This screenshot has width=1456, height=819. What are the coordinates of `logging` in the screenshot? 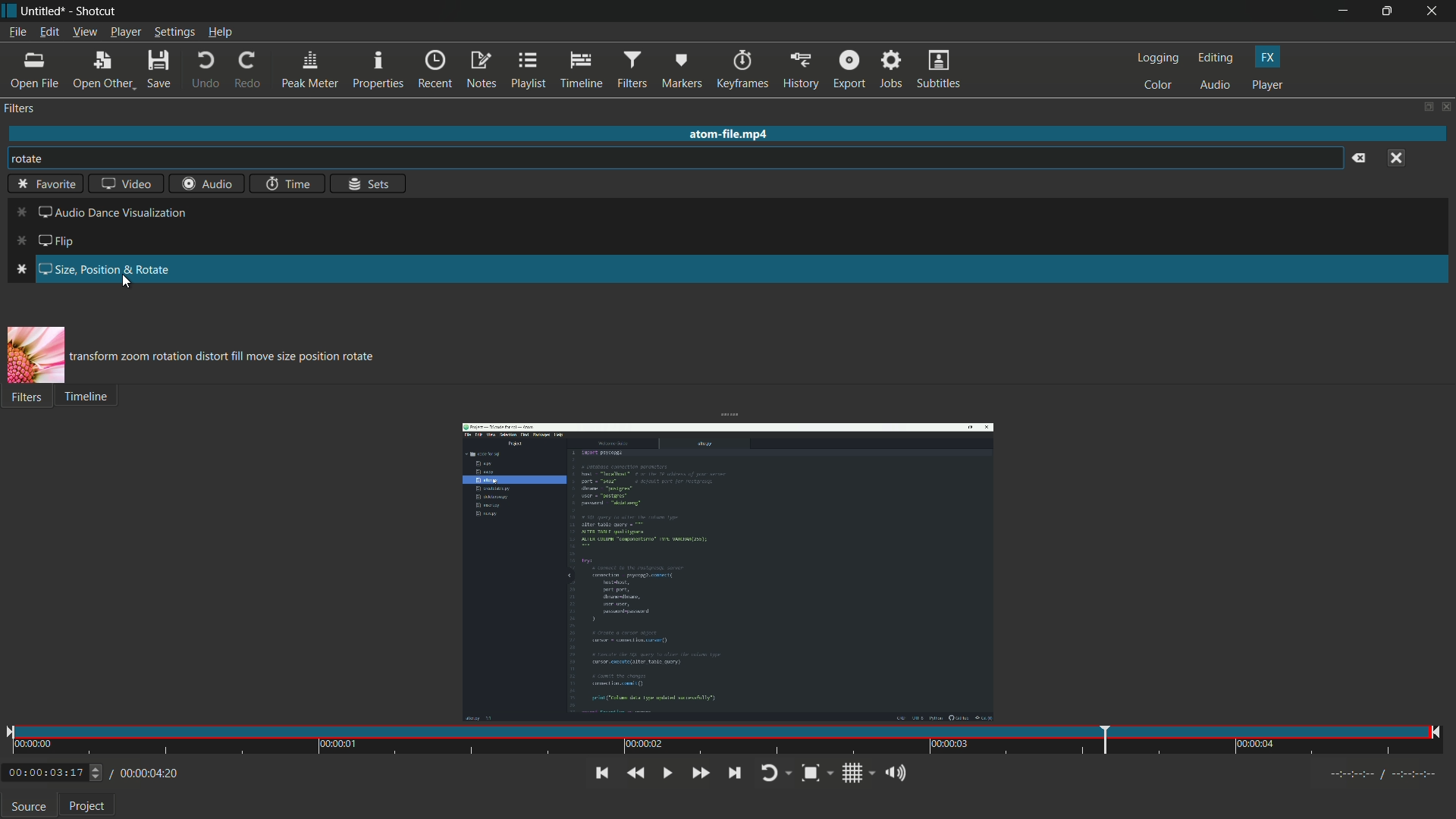 It's located at (1159, 58).